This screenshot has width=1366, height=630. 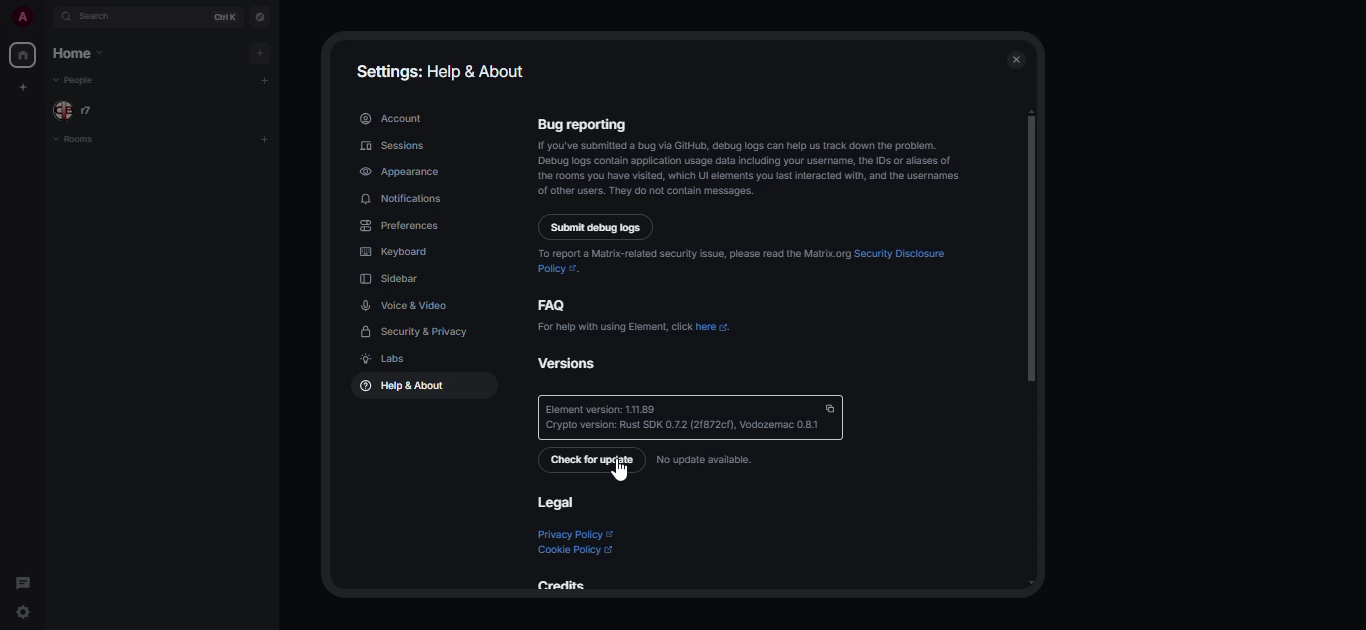 What do you see at coordinates (392, 278) in the screenshot?
I see `sidebar` at bounding box center [392, 278].